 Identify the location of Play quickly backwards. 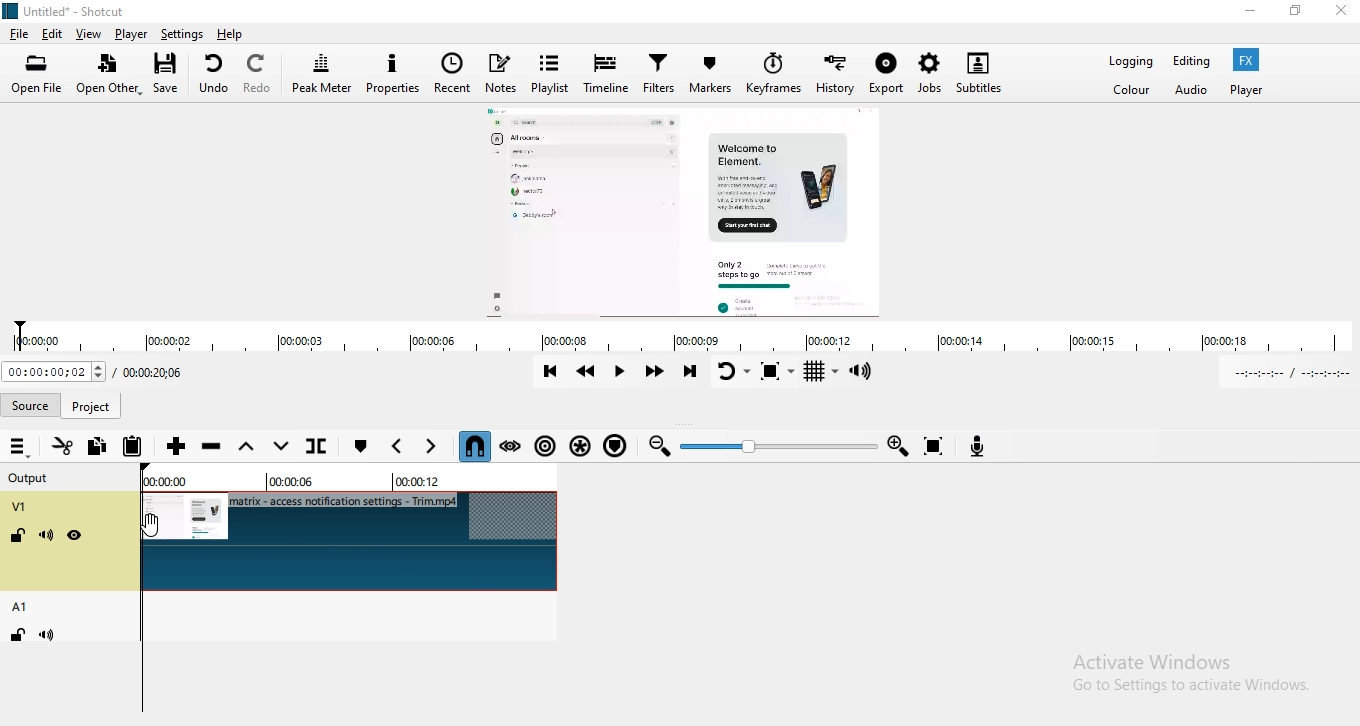
(586, 375).